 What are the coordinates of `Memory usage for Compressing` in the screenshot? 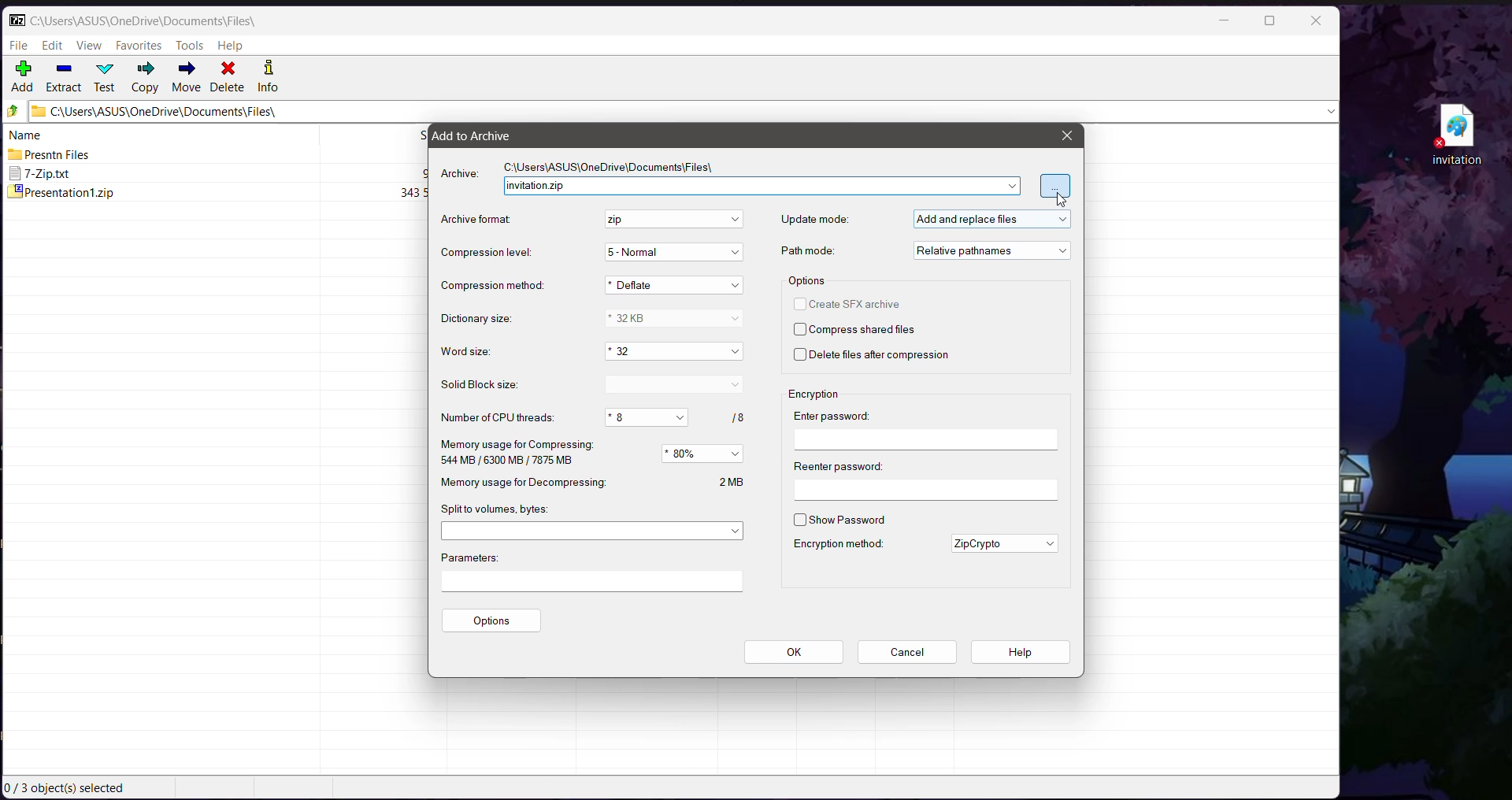 It's located at (516, 453).